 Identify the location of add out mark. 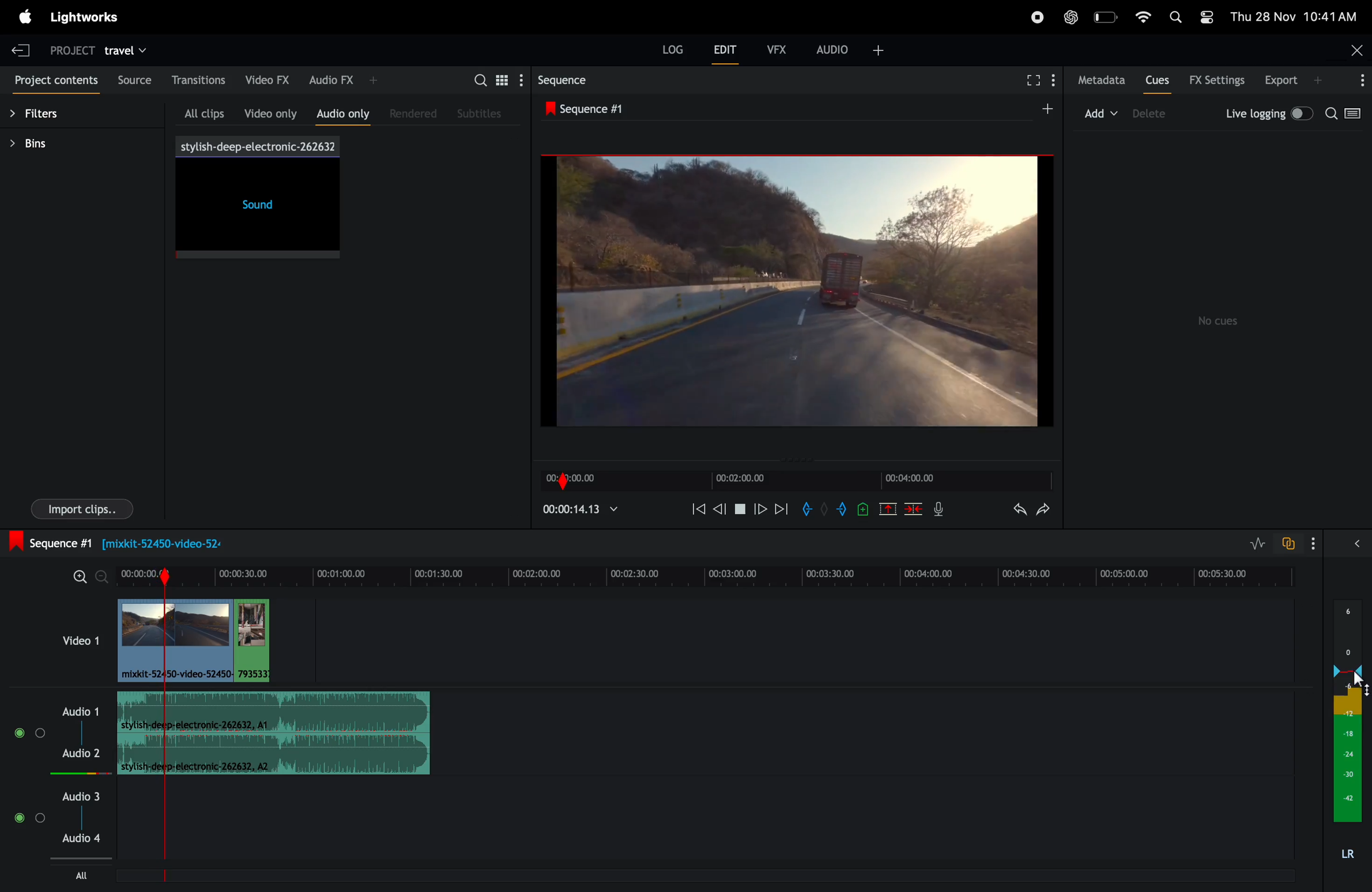
(839, 511).